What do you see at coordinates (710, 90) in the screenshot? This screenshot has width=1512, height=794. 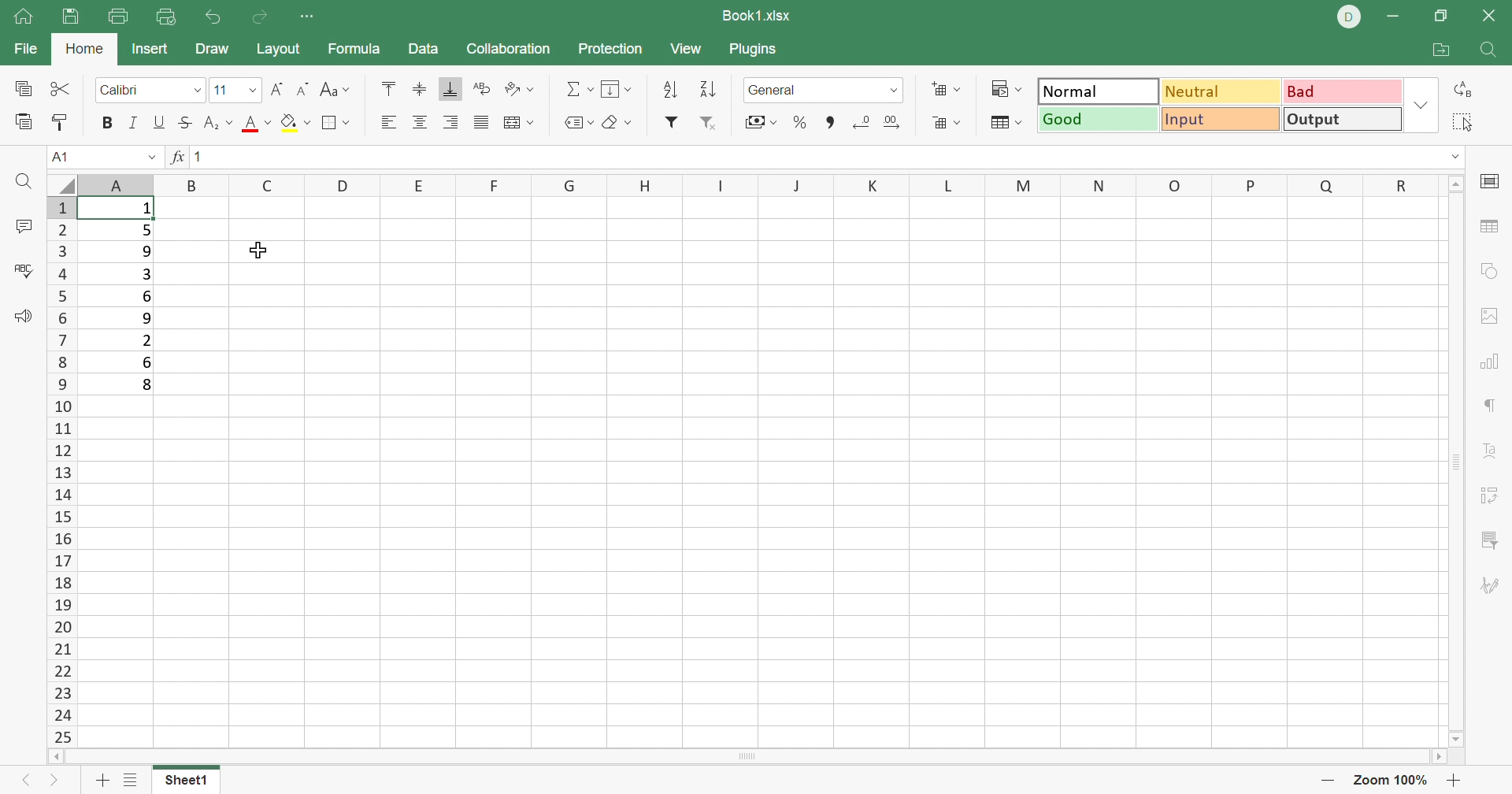 I see `Descending order` at bounding box center [710, 90].